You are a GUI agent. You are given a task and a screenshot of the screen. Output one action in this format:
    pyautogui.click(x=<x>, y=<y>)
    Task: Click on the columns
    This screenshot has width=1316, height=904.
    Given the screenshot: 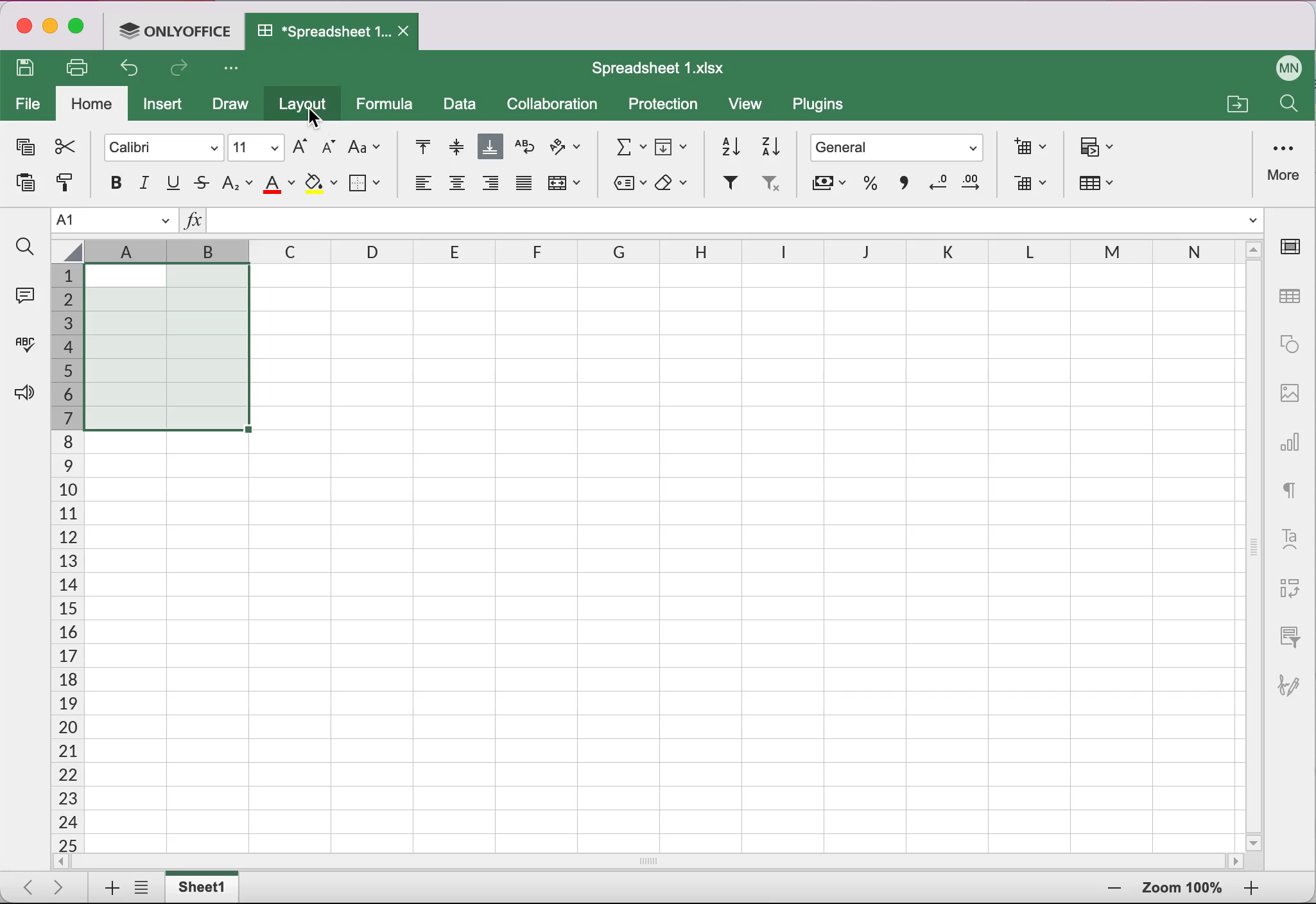 What is the action you would take?
    pyautogui.click(x=528, y=252)
    